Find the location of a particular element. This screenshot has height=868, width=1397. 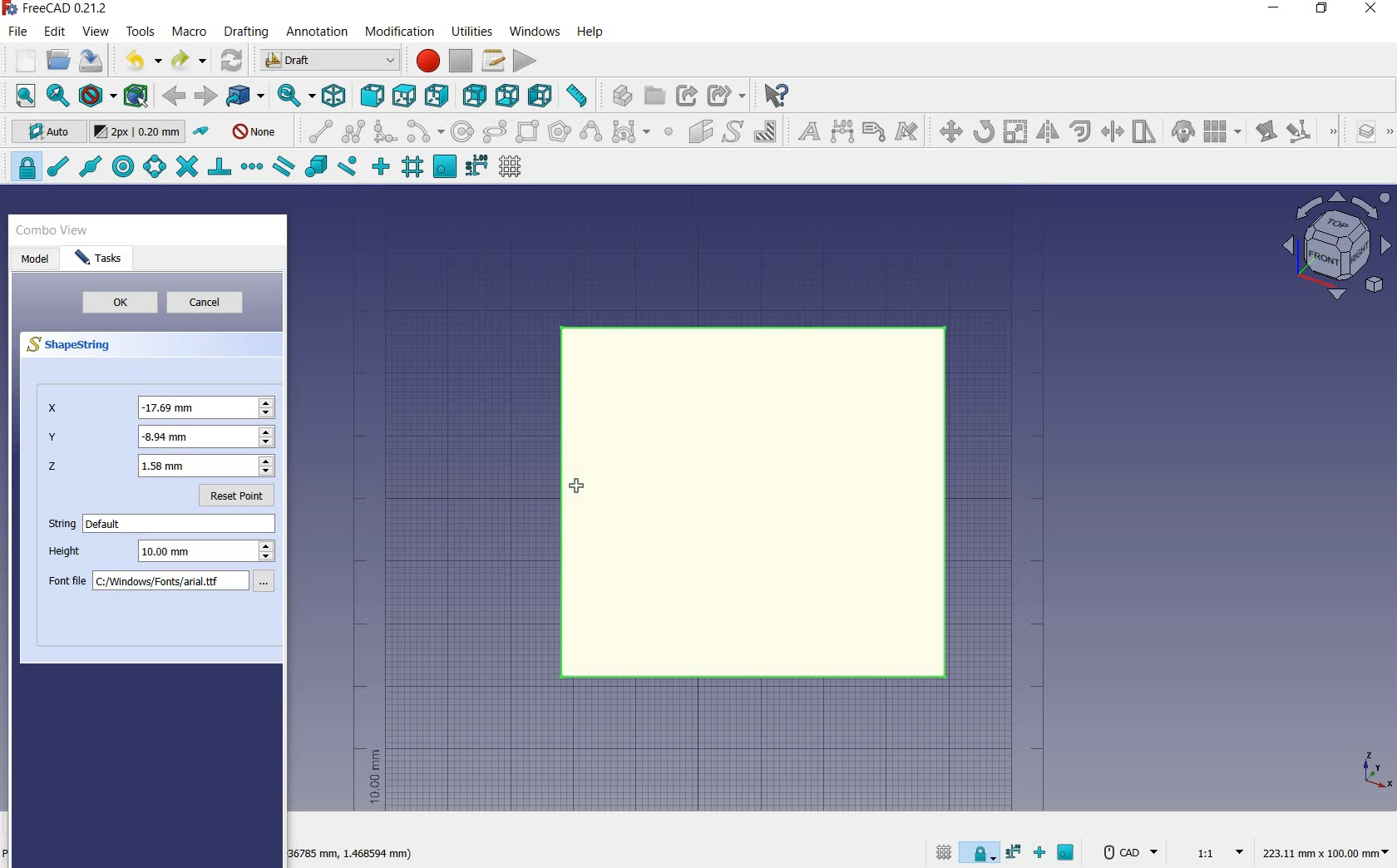

redo is located at coordinates (189, 61).